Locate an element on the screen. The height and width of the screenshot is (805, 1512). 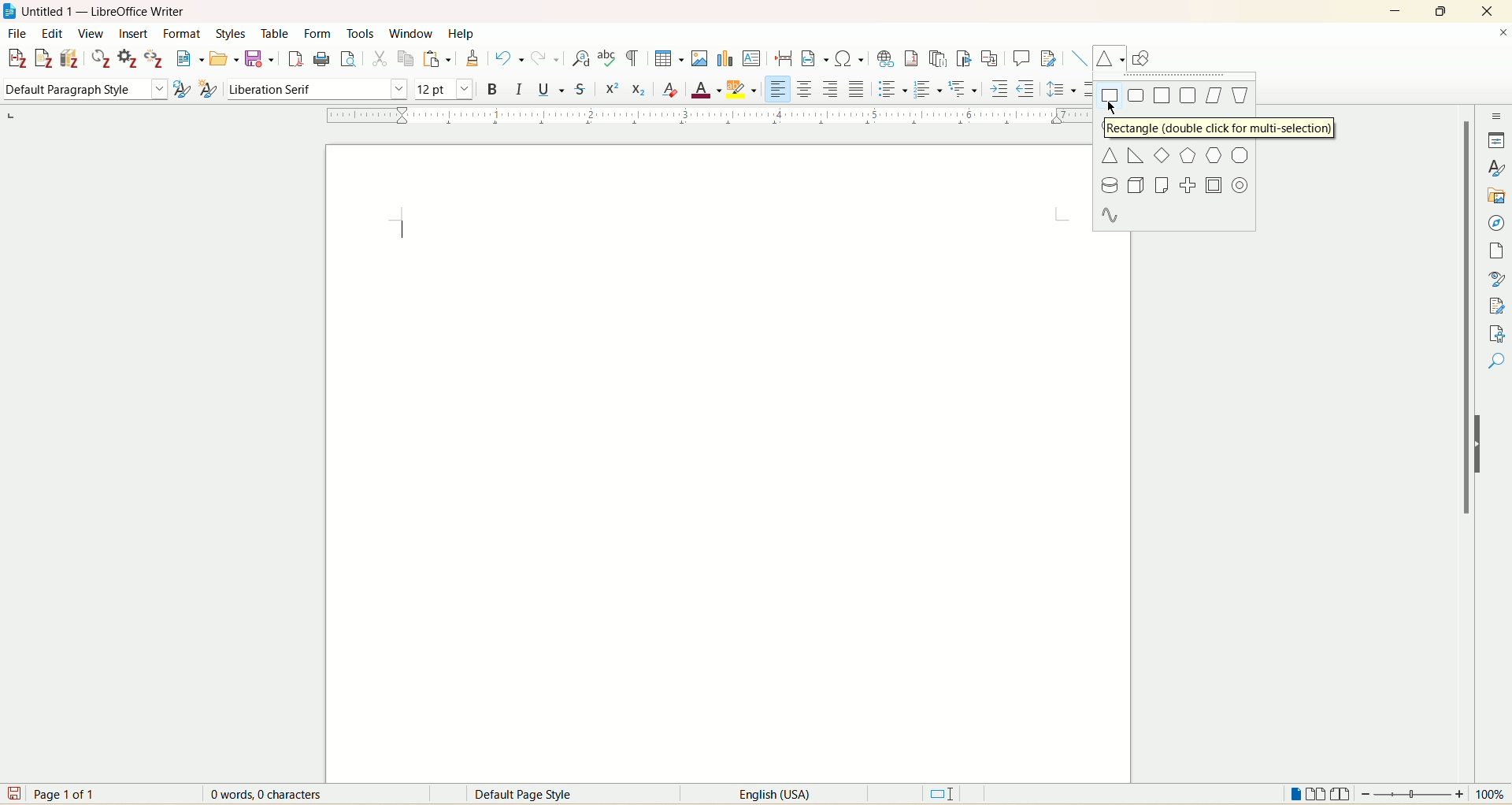
strikethrough is located at coordinates (579, 90).